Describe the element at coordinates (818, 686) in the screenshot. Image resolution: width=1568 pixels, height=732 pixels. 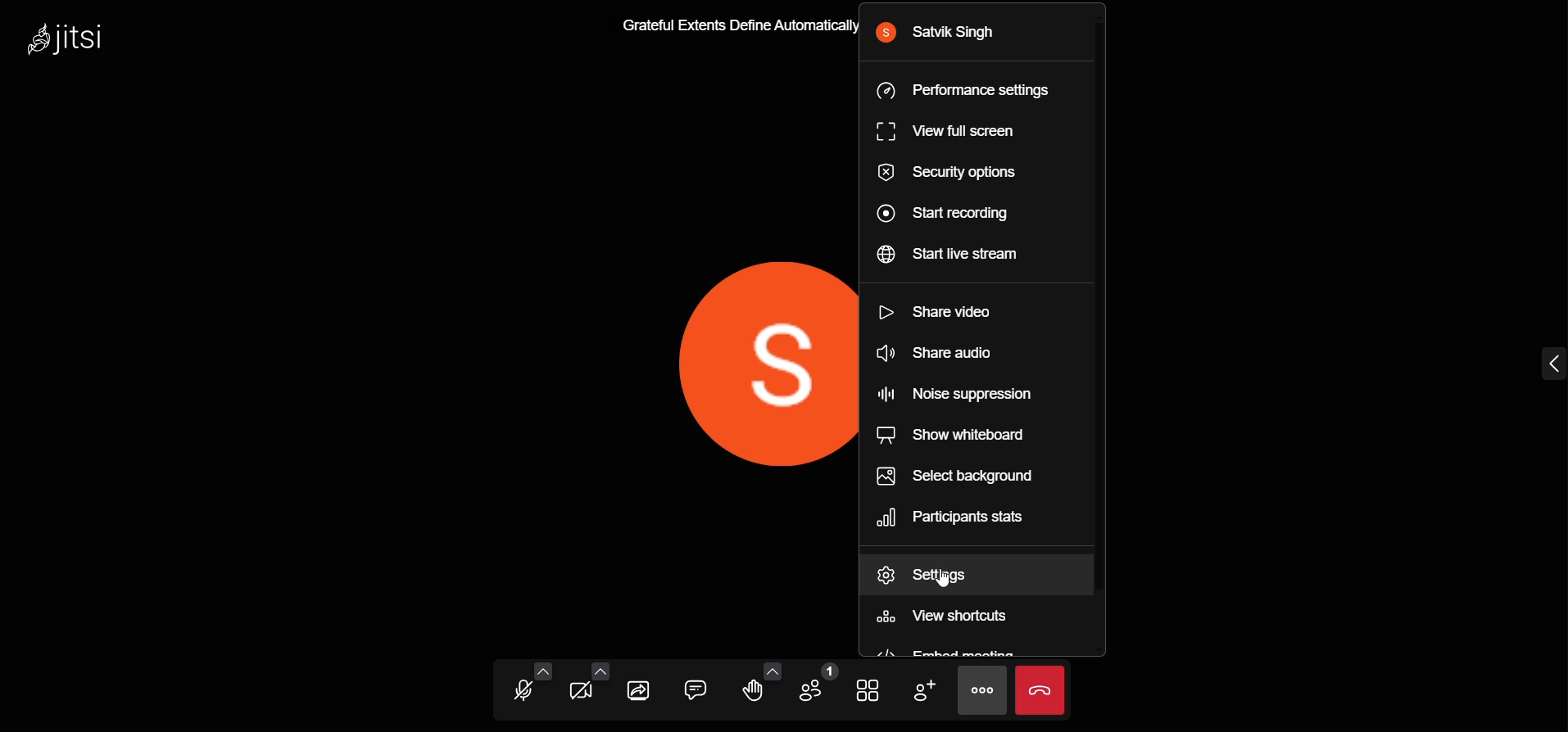
I see `participants` at that location.